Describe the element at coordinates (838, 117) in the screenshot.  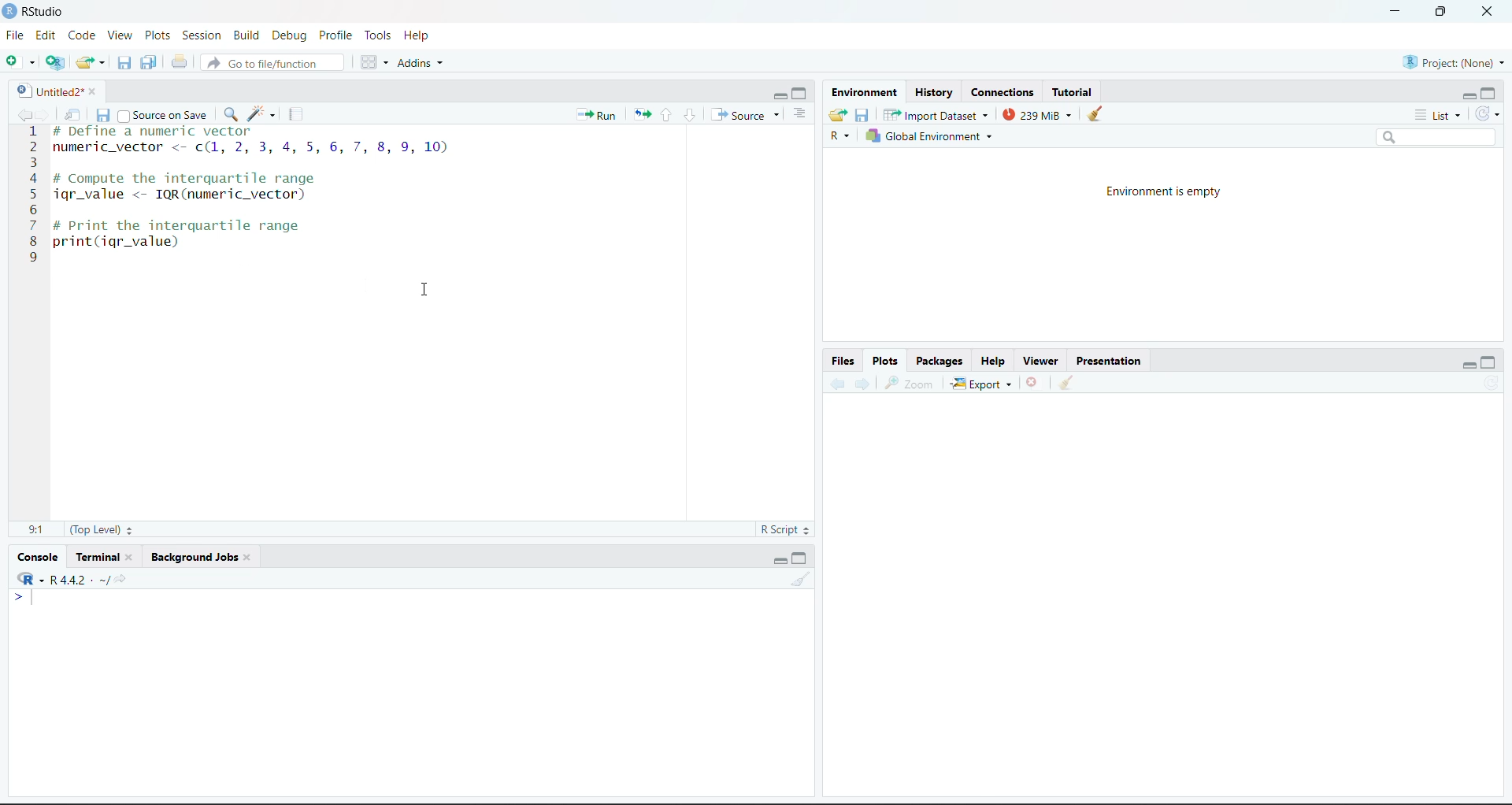
I see `Load workspace` at that location.